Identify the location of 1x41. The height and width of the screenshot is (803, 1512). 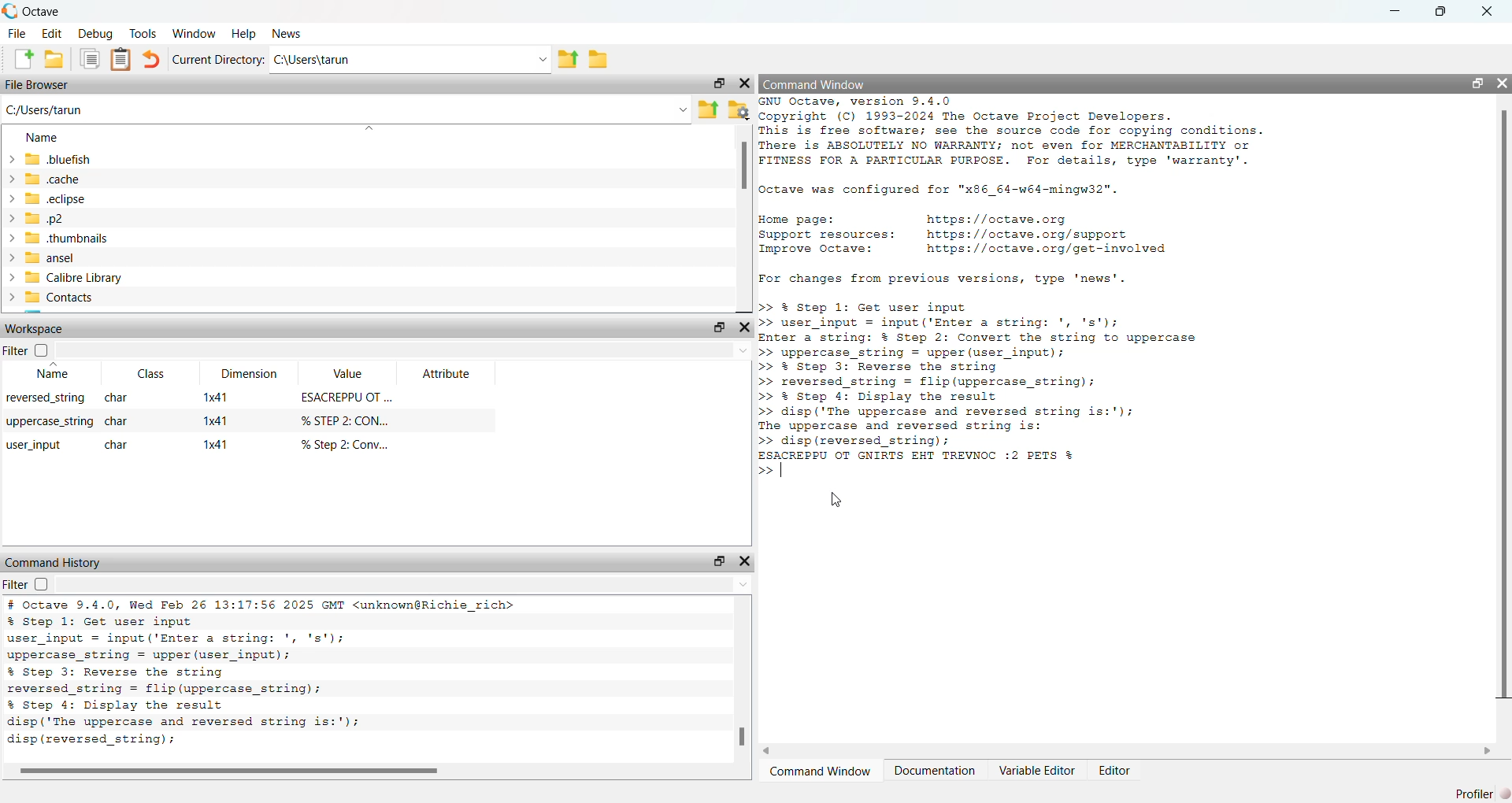
(217, 420).